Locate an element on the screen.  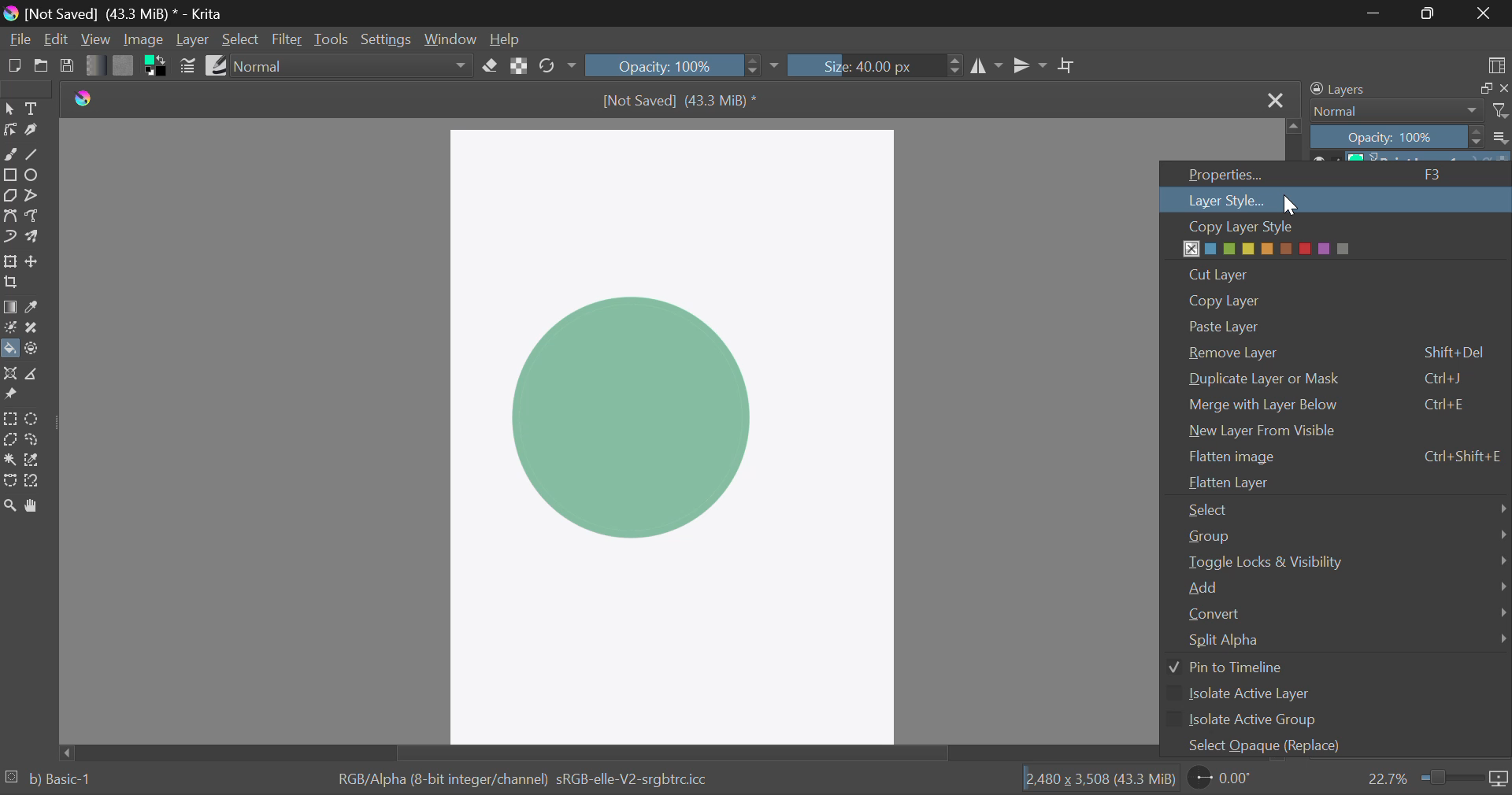
Text is located at coordinates (31, 109).